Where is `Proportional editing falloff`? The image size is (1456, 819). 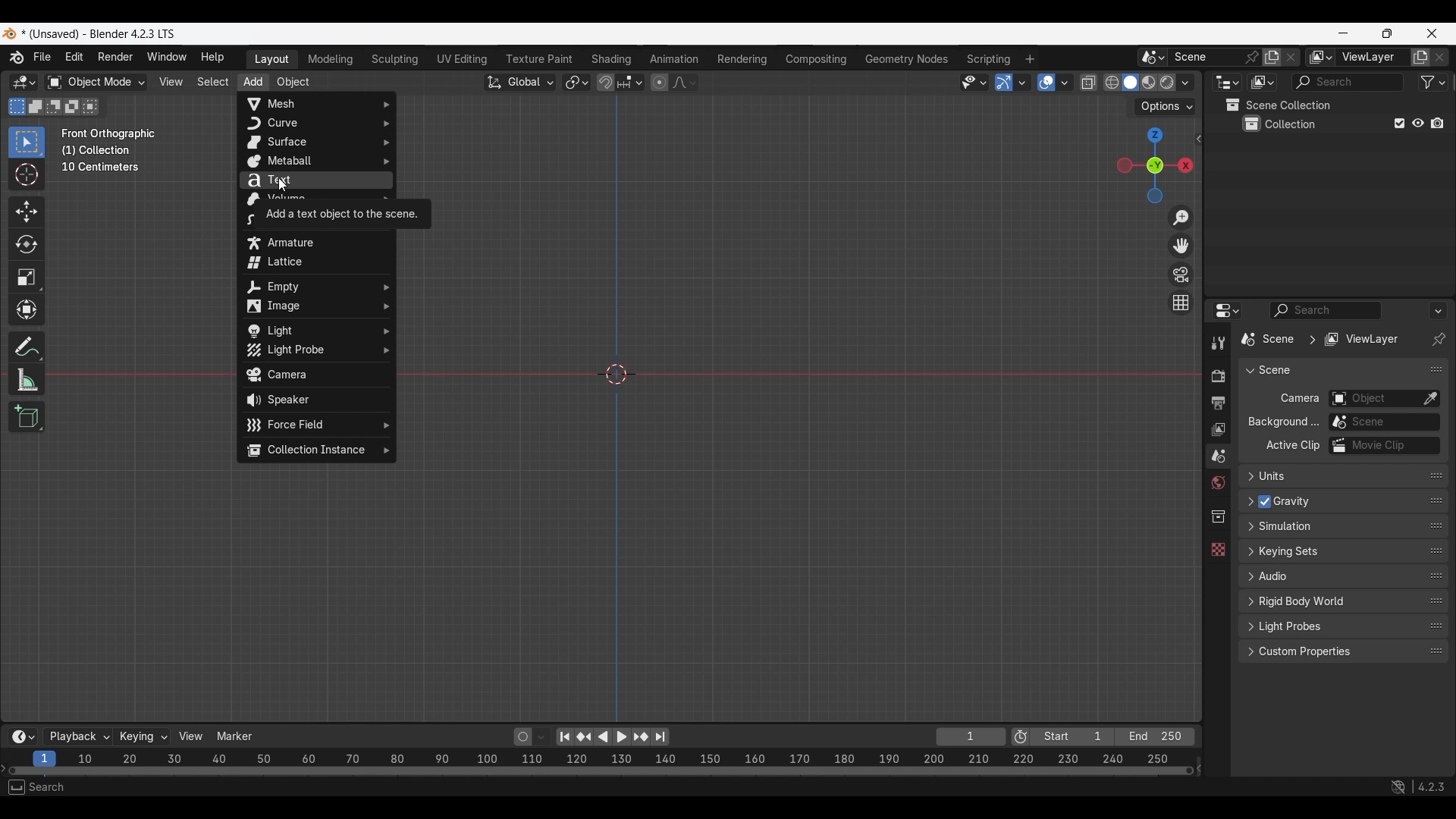 Proportional editing falloff is located at coordinates (685, 82).